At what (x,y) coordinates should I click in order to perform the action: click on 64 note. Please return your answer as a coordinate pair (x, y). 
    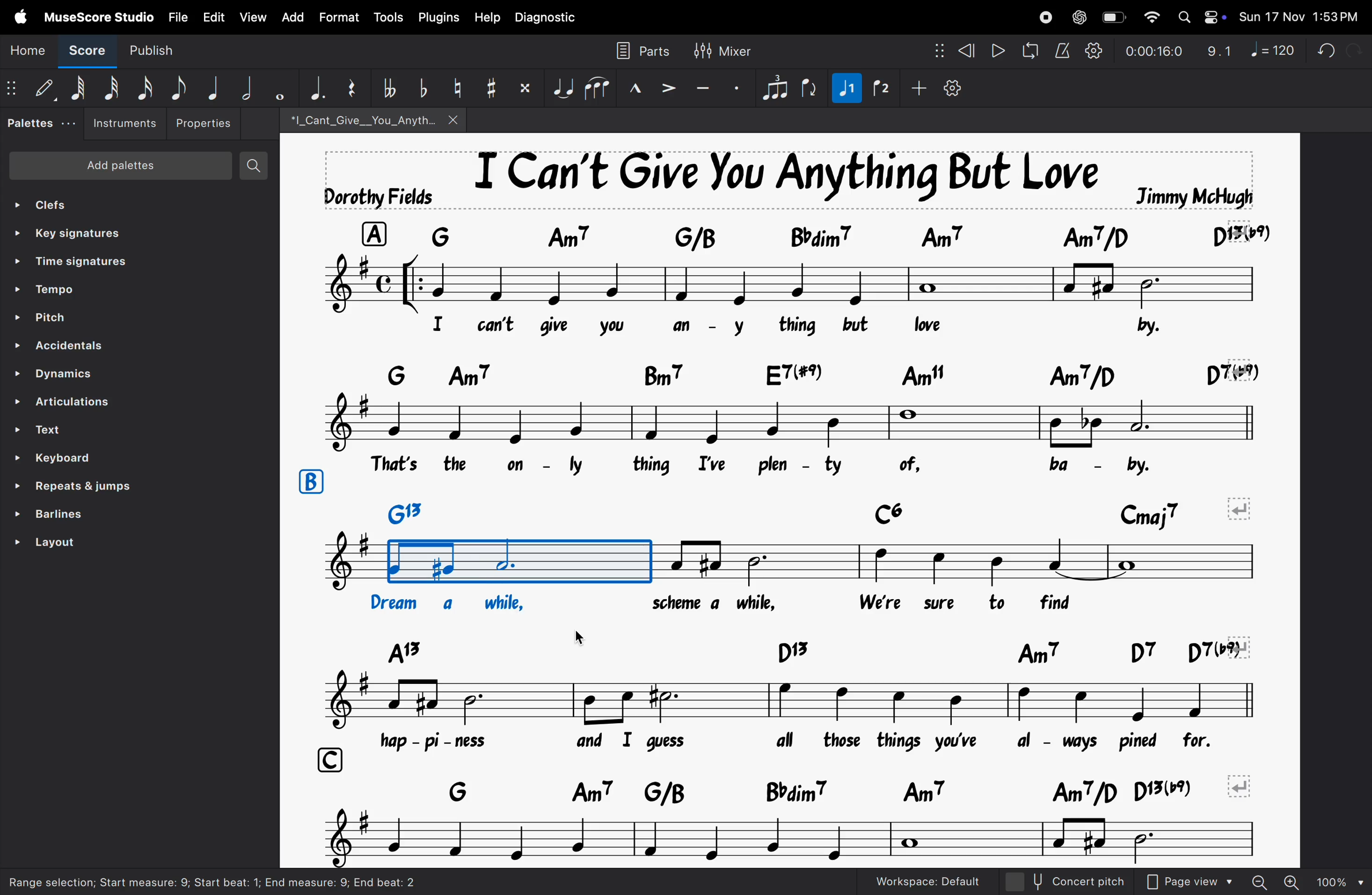
    Looking at the image, I should click on (77, 90).